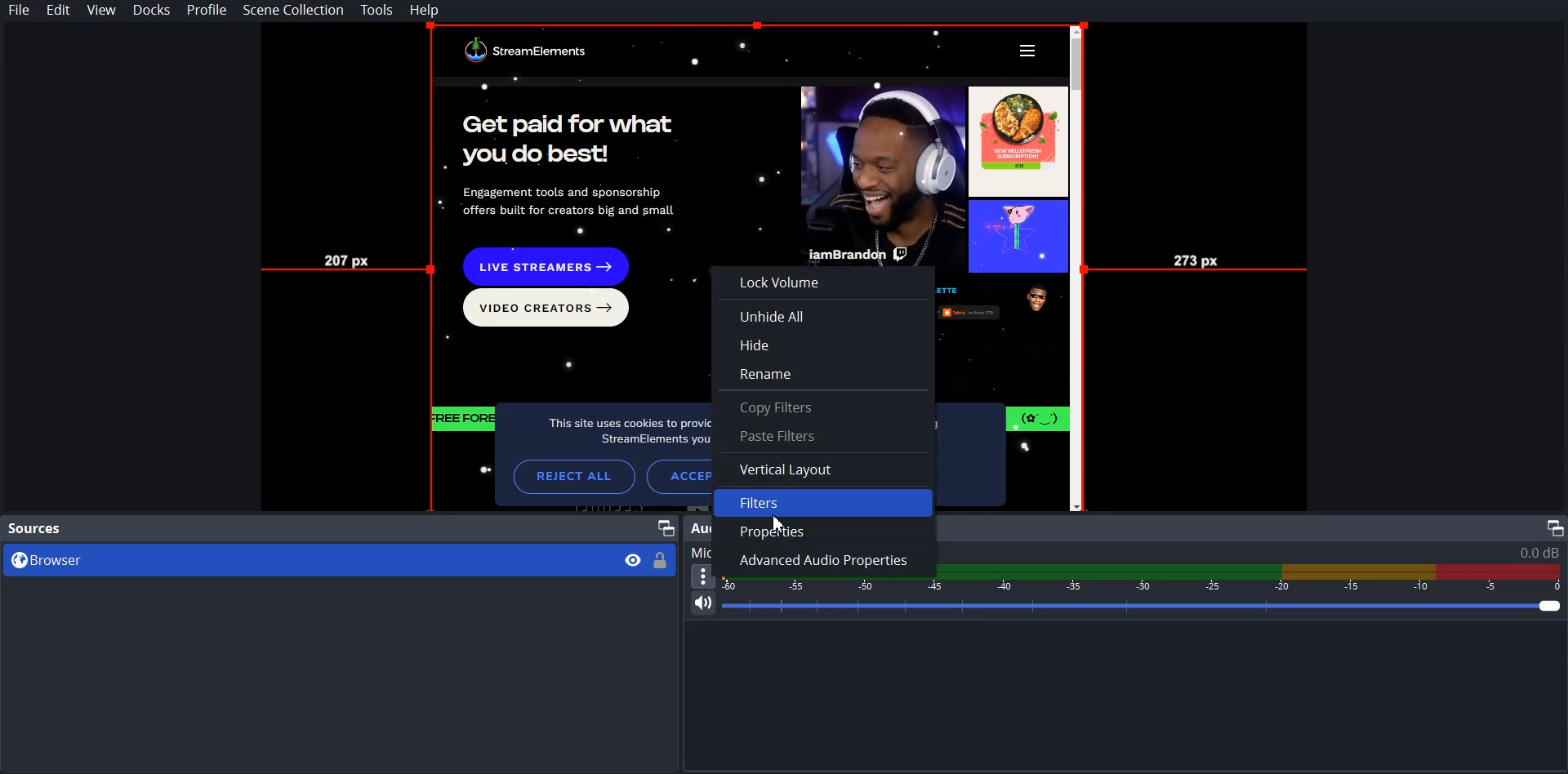  What do you see at coordinates (824, 316) in the screenshot?
I see `Unhide All` at bounding box center [824, 316].